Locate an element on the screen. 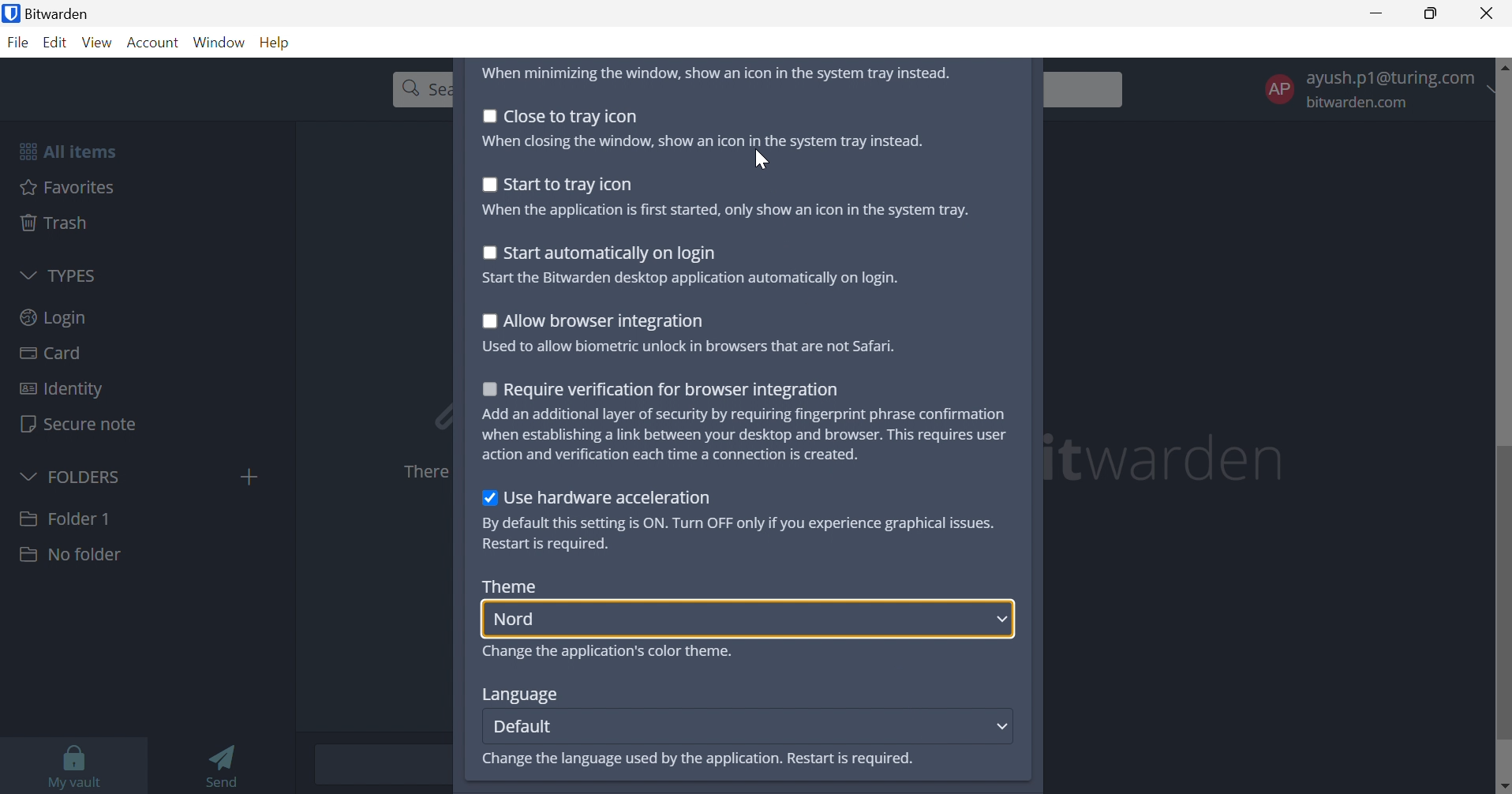 The height and width of the screenshot is (794, 1512). Checkbox is located at coordinates (489, 500).